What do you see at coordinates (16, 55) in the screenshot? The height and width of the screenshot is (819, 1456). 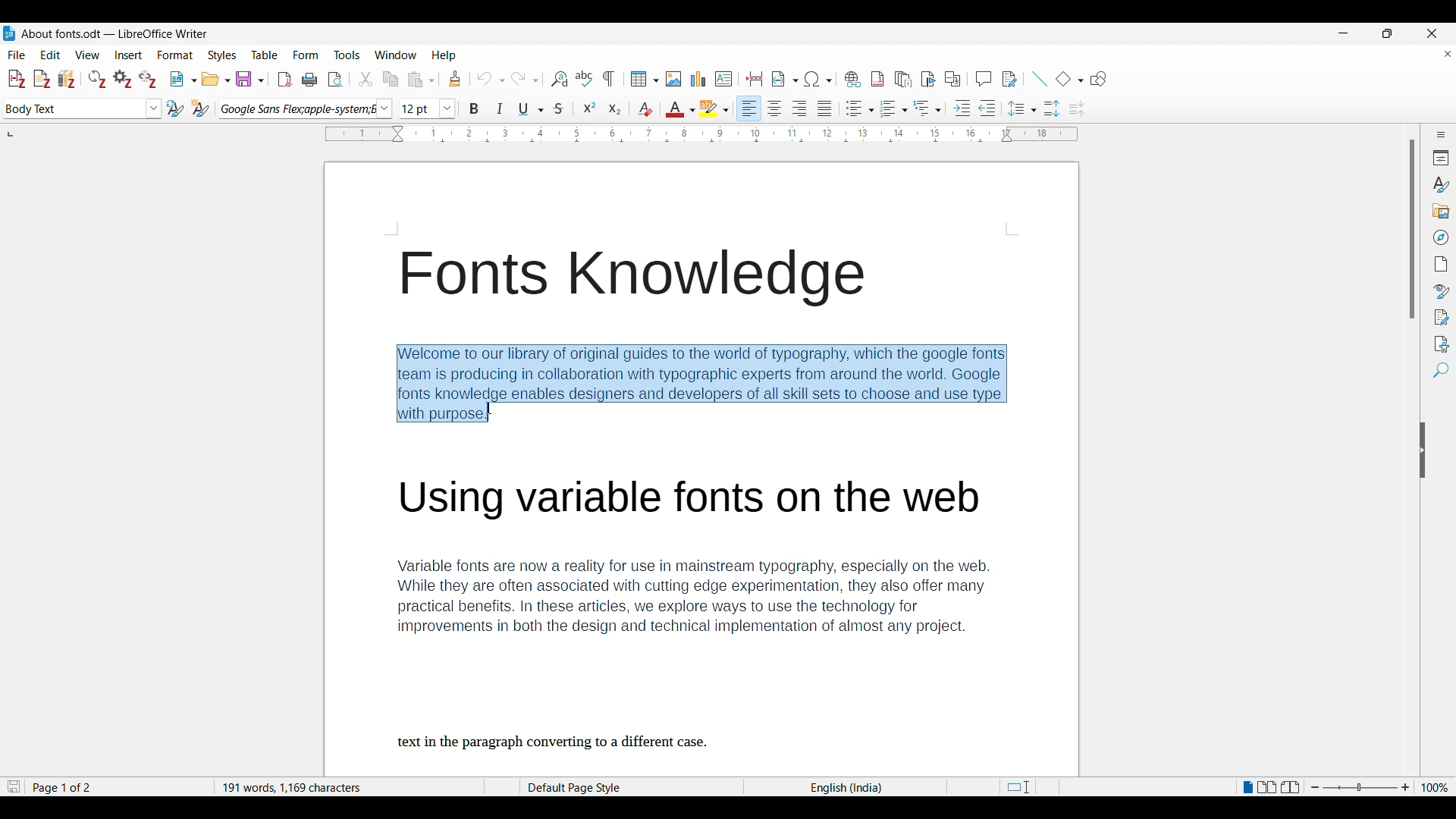 I see `File menu` at bounding box center [16, 55].